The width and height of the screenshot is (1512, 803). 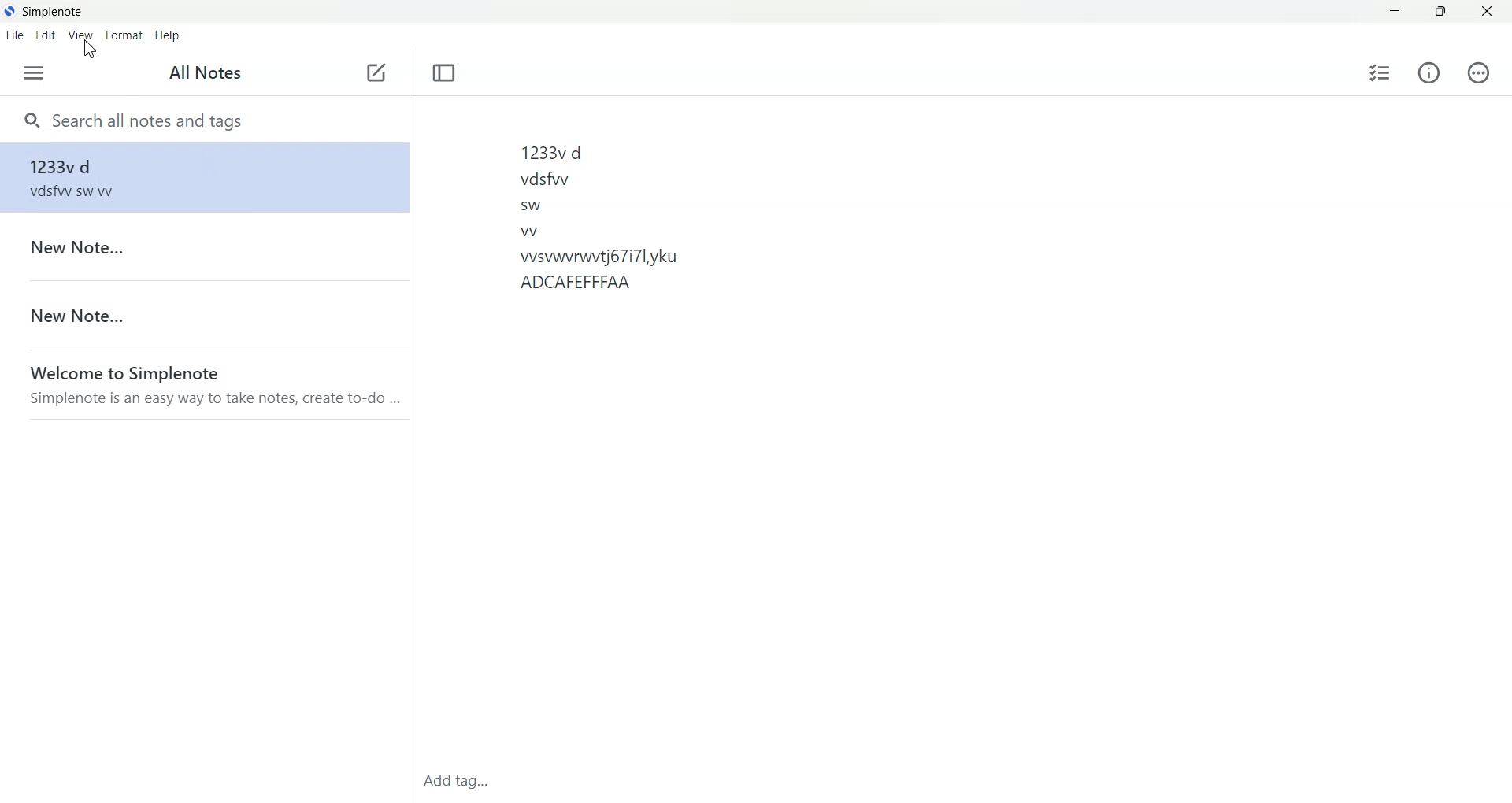 I want to click on Cursor, so click(x=90, y=48).